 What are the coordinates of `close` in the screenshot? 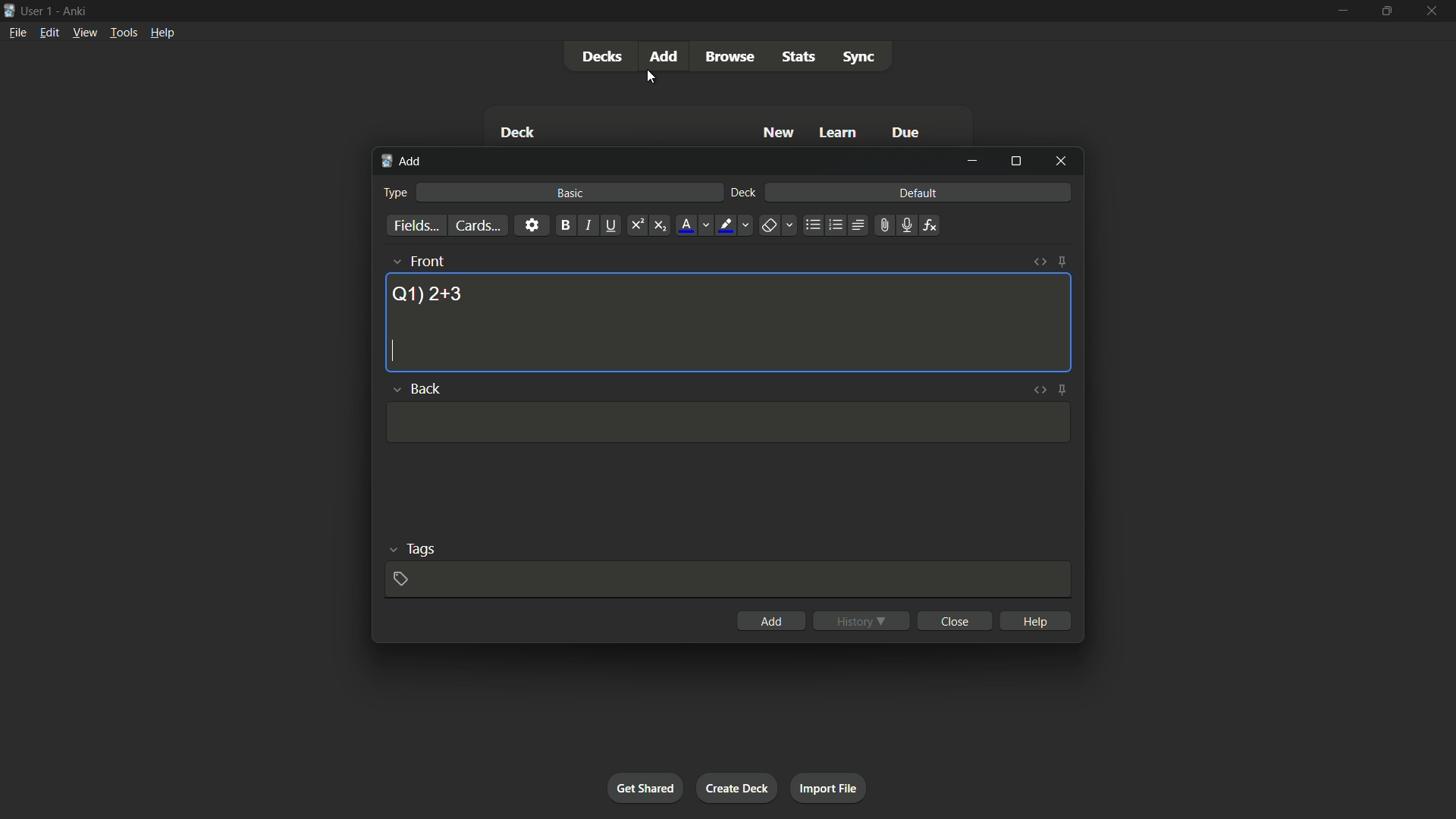 It's located at (957, 620).